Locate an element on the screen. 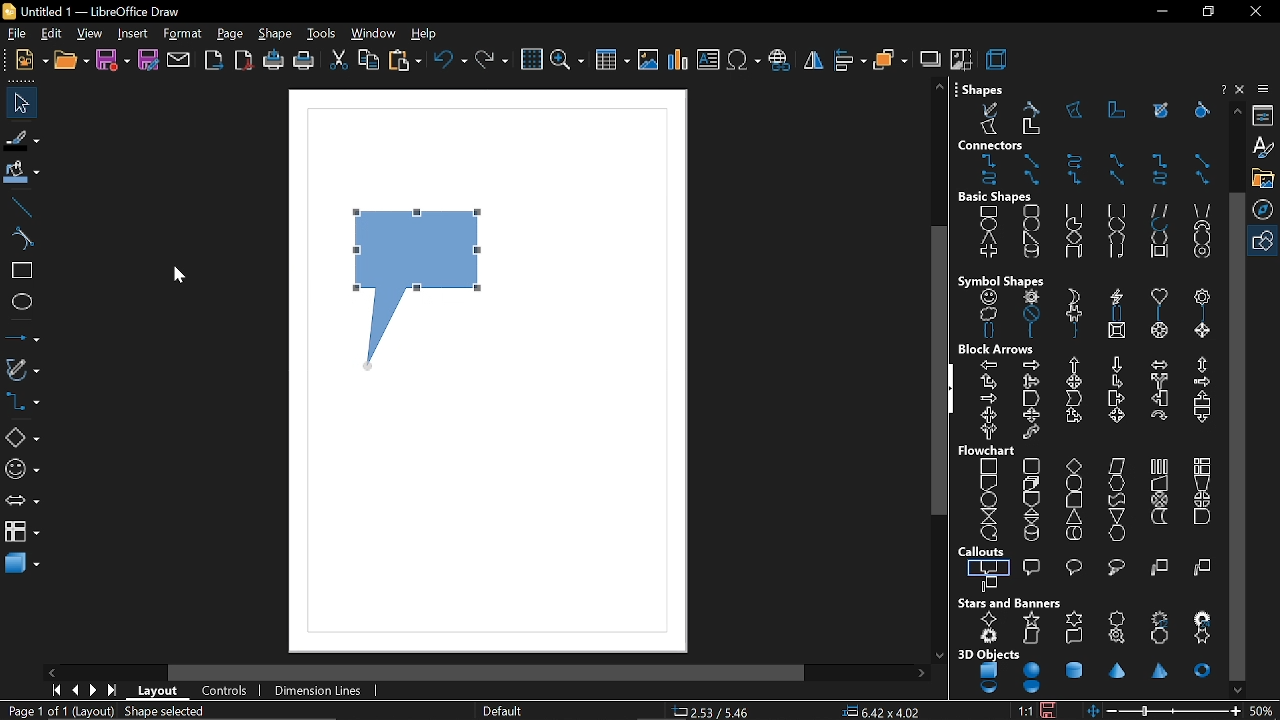  stars and banners is located at coordinates (1011, 603).